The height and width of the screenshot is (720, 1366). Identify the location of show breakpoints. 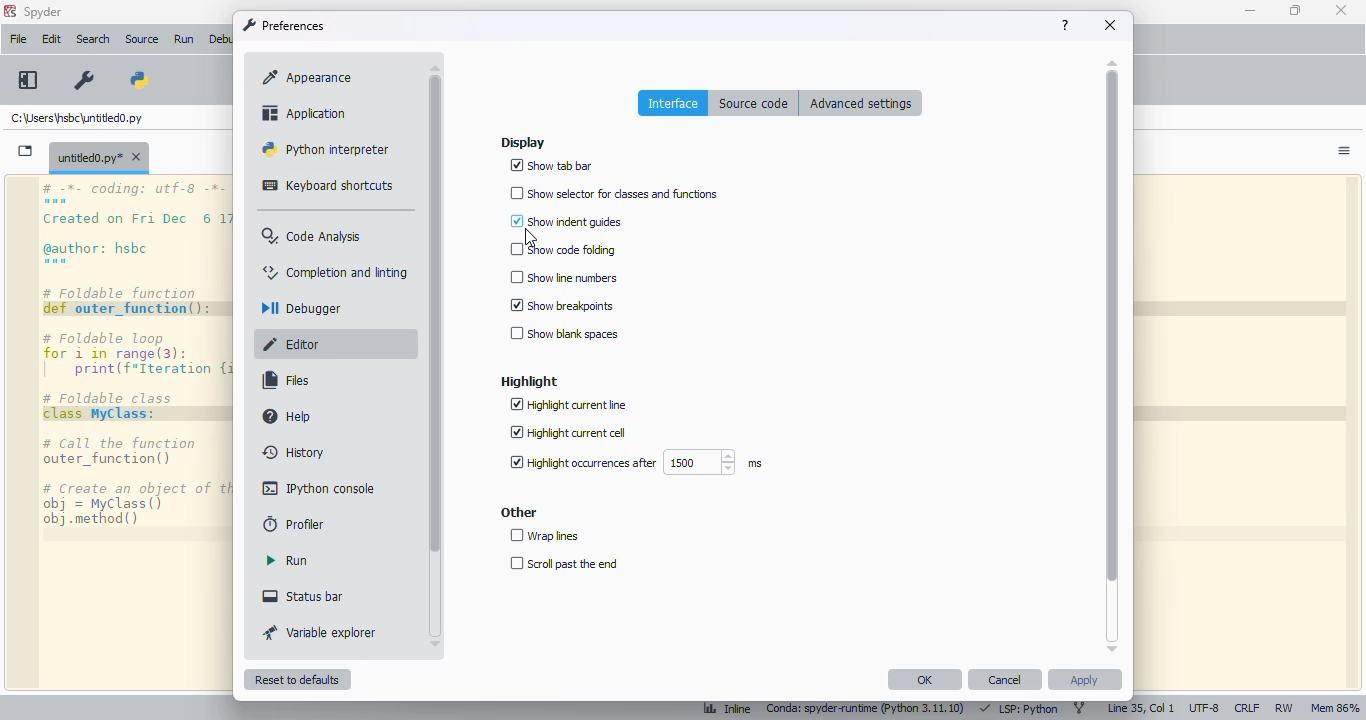
(563, 304).